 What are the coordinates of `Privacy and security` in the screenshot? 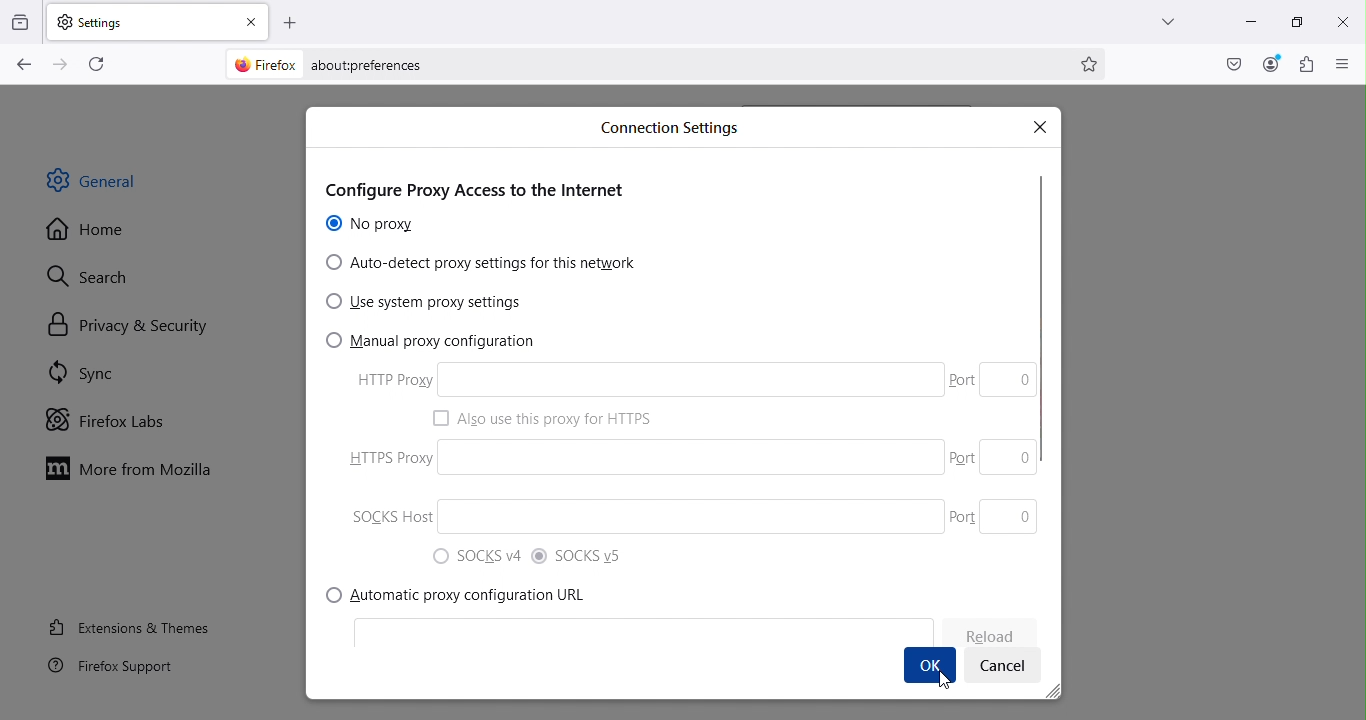 It's located at (119, 324).